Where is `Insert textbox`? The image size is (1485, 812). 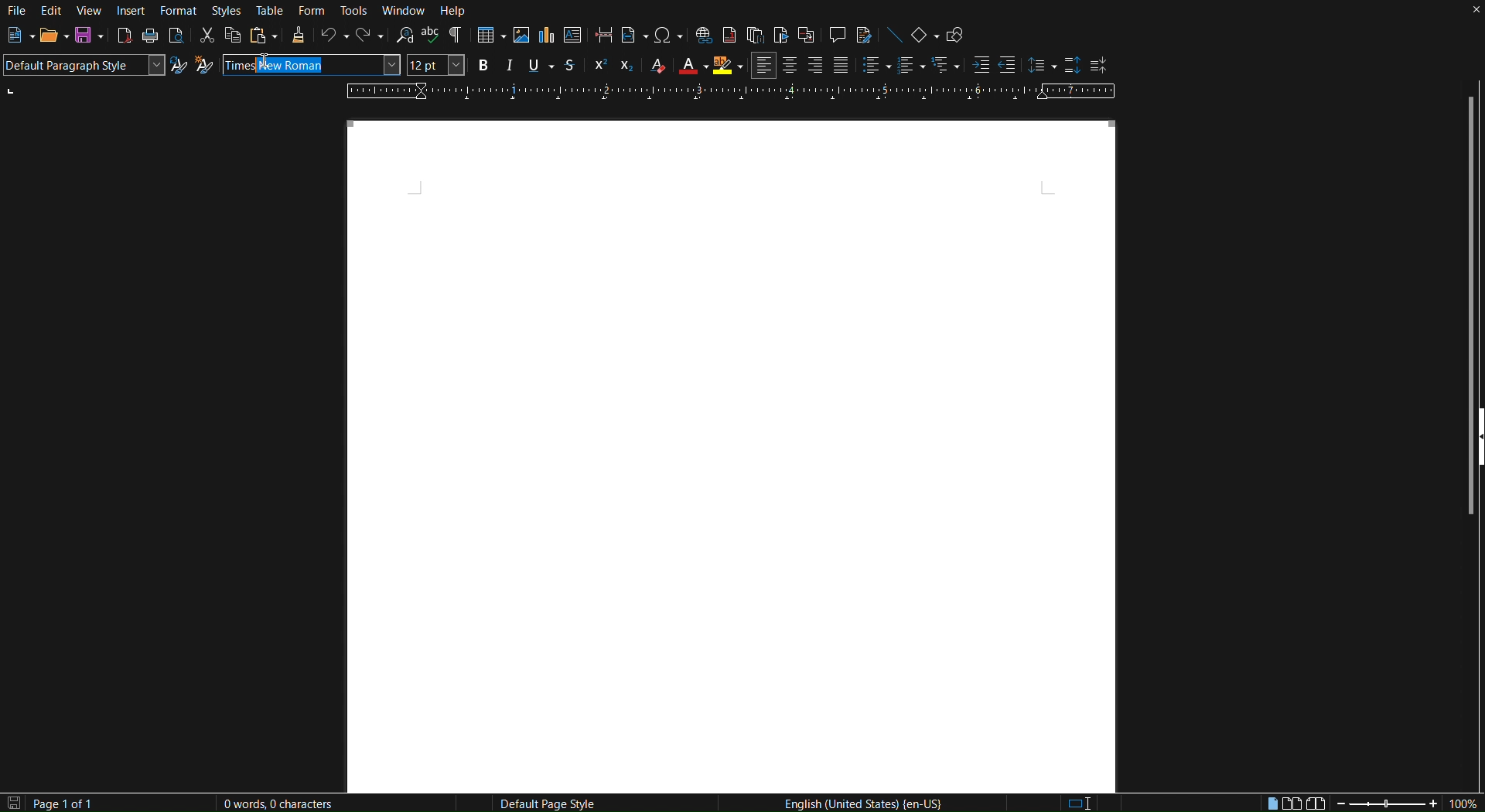
Insert textbox is located at coordinates (573, 35).